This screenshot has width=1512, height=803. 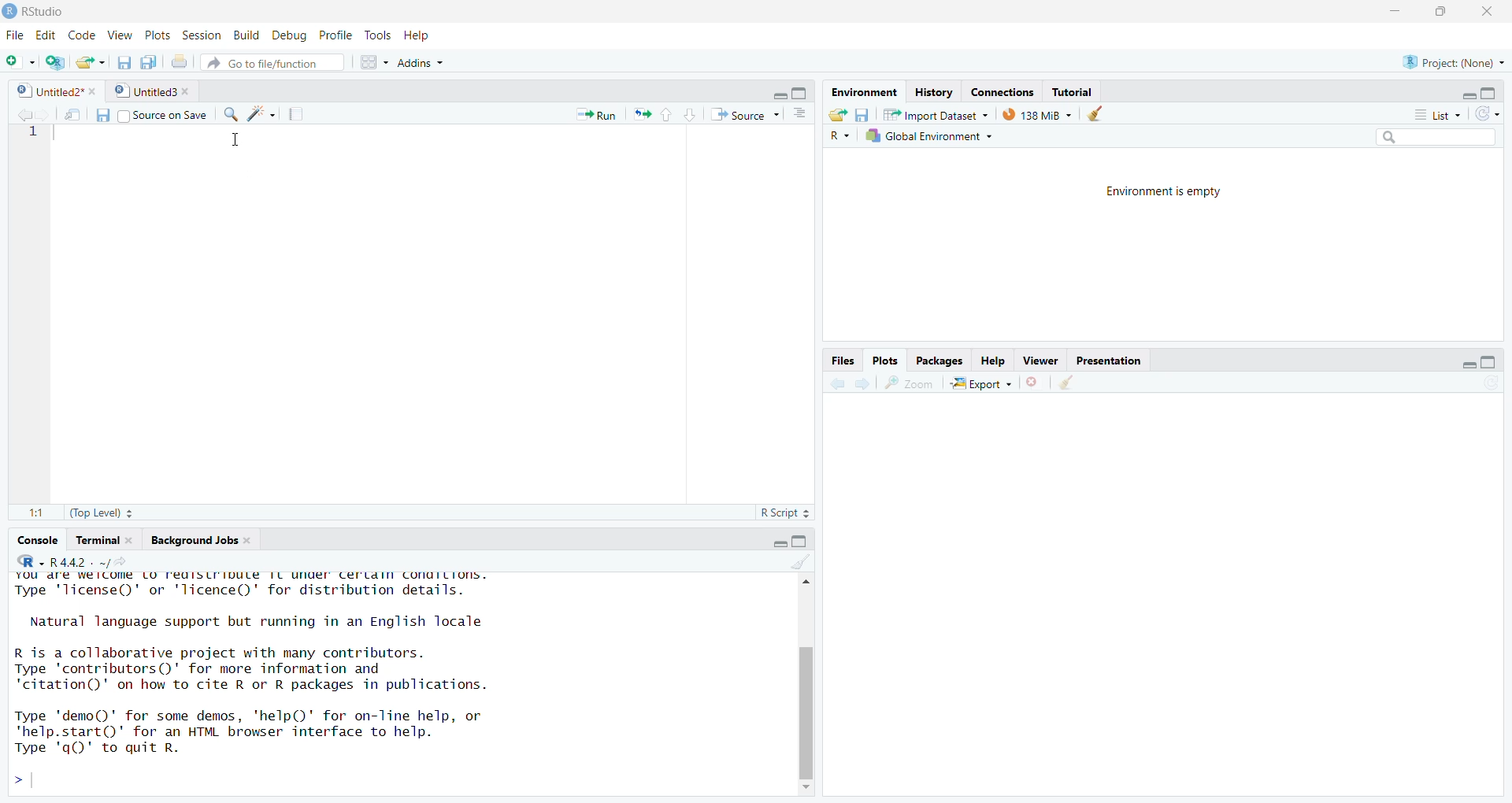 I want to click on refresh, so click(x=1498, y=113).